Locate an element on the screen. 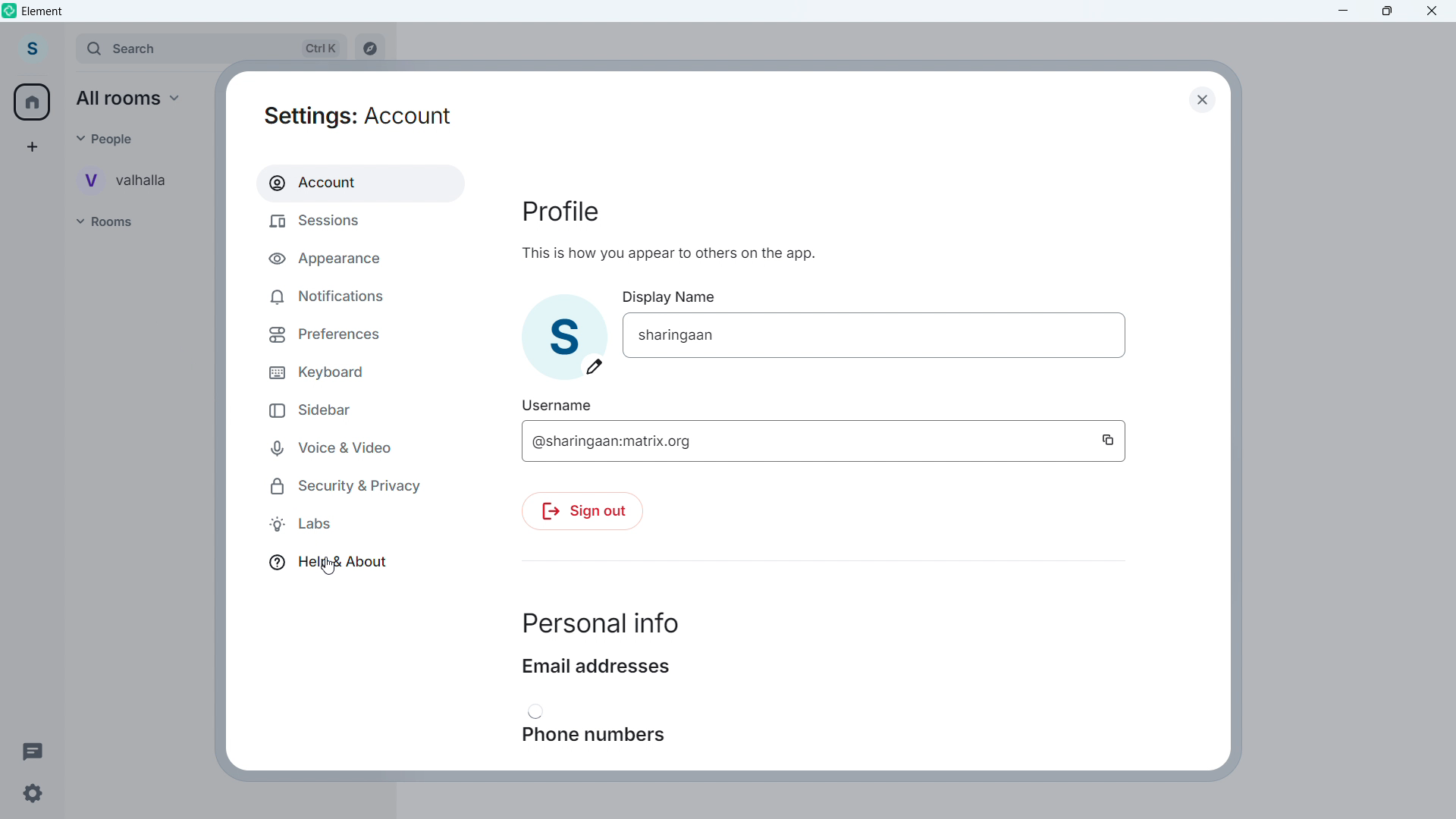 This screenshot has height=819, width=1456. Personal room  is located at coordinates (133, 180).